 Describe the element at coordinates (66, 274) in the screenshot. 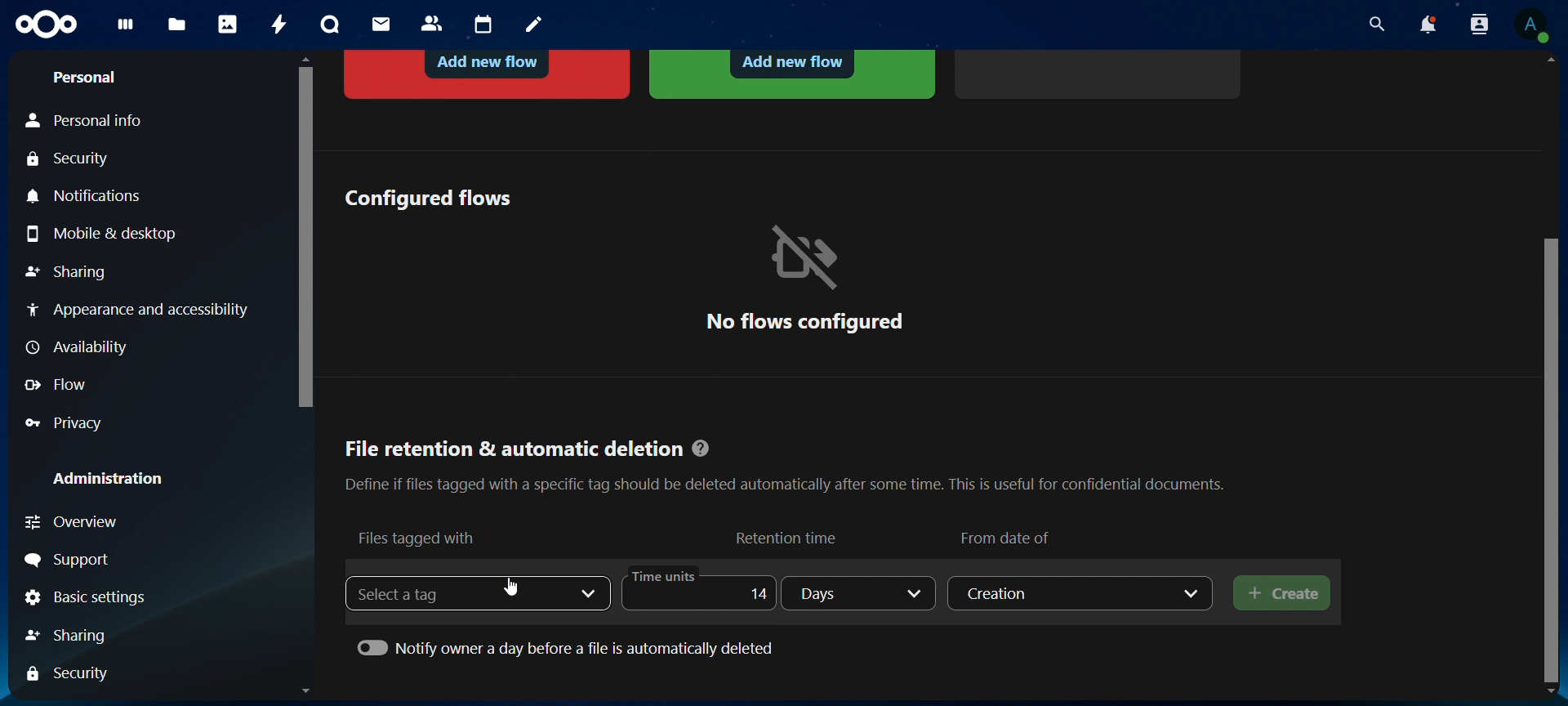

I see `sharing` at that location.